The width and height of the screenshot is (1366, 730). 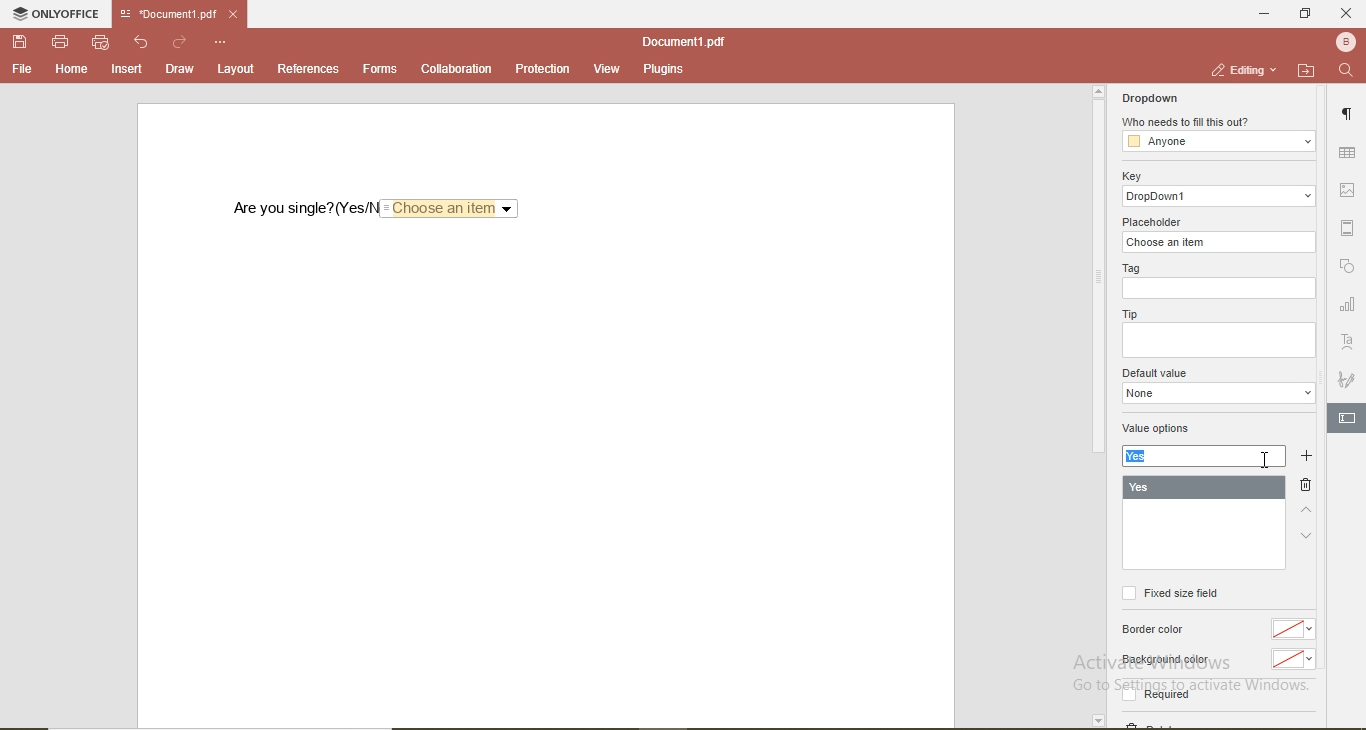 What do you see at coordinates (681, 41) in the screenshot?
I see `document` at bounding box center [681, 41].